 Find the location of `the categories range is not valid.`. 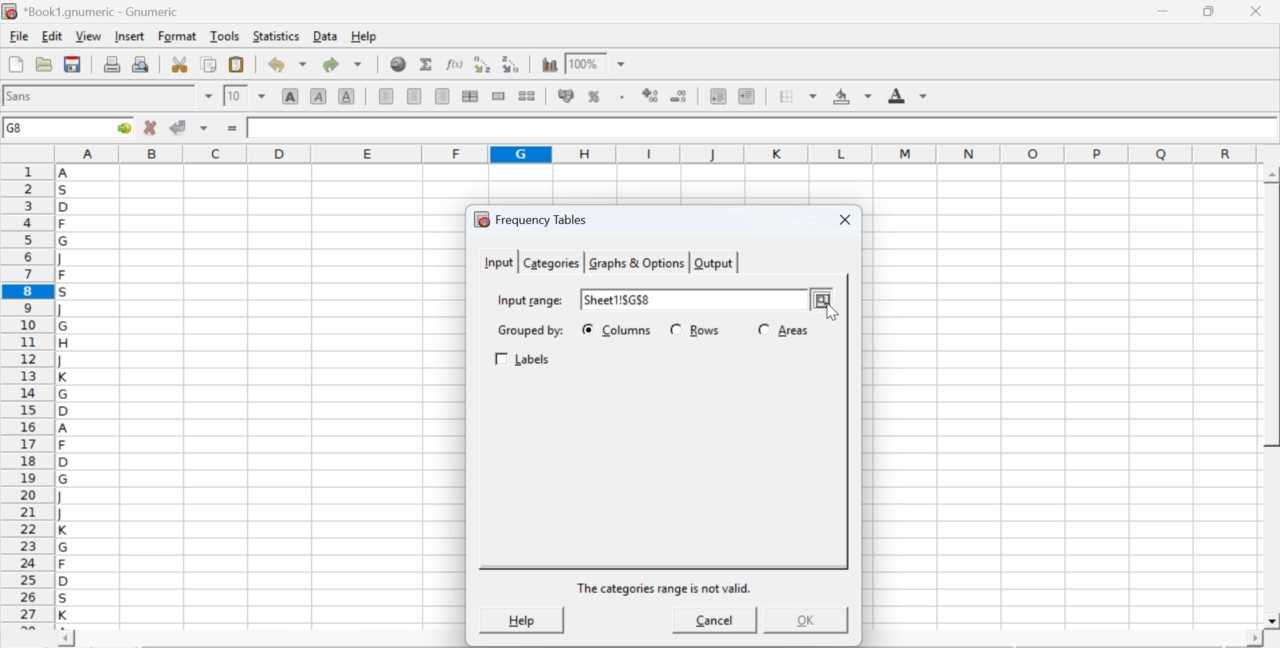

the categories range is not valid. is located at coordinates (666, 588).